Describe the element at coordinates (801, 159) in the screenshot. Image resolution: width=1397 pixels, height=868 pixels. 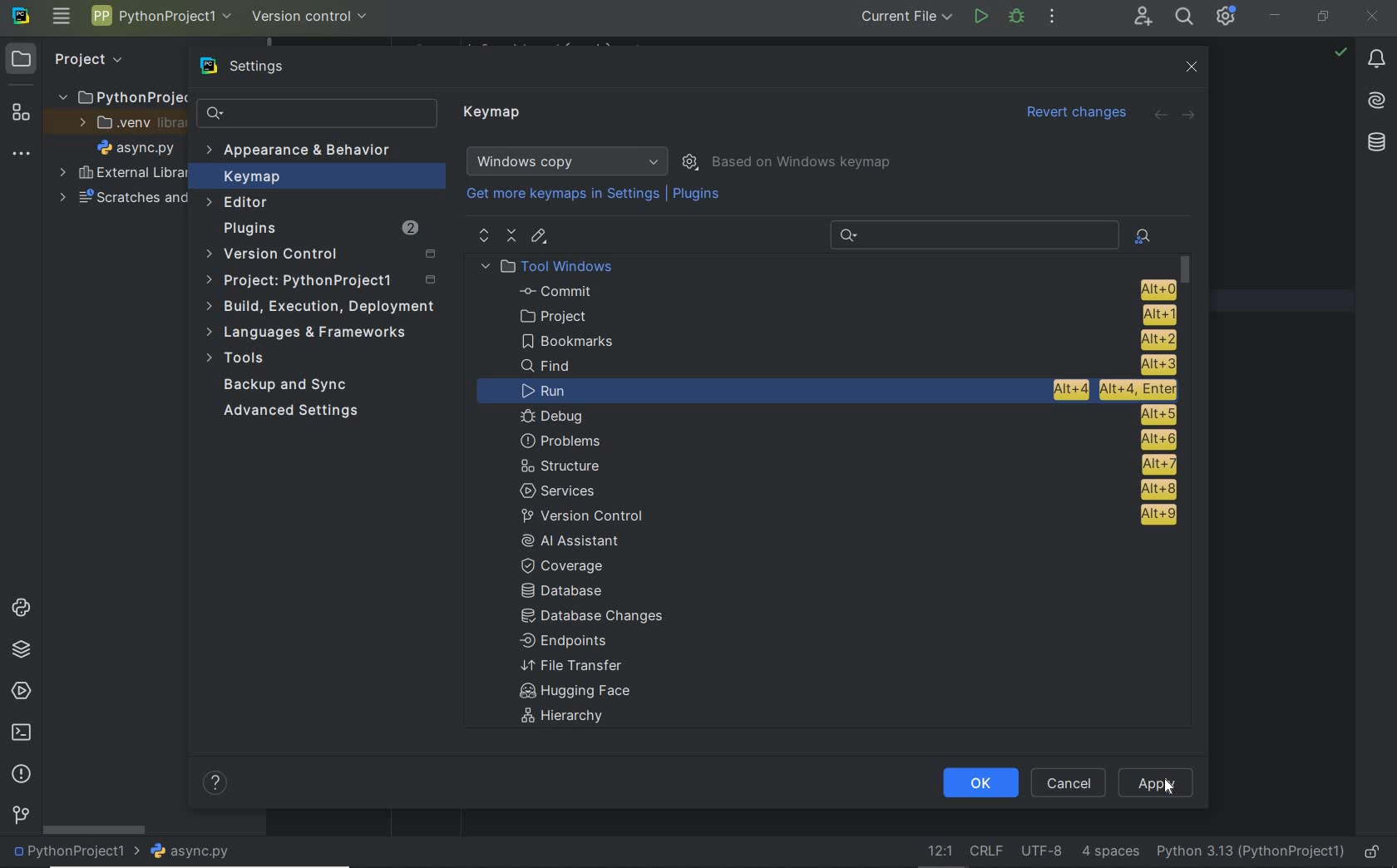
I see `Based on Windows keymap` at that location.